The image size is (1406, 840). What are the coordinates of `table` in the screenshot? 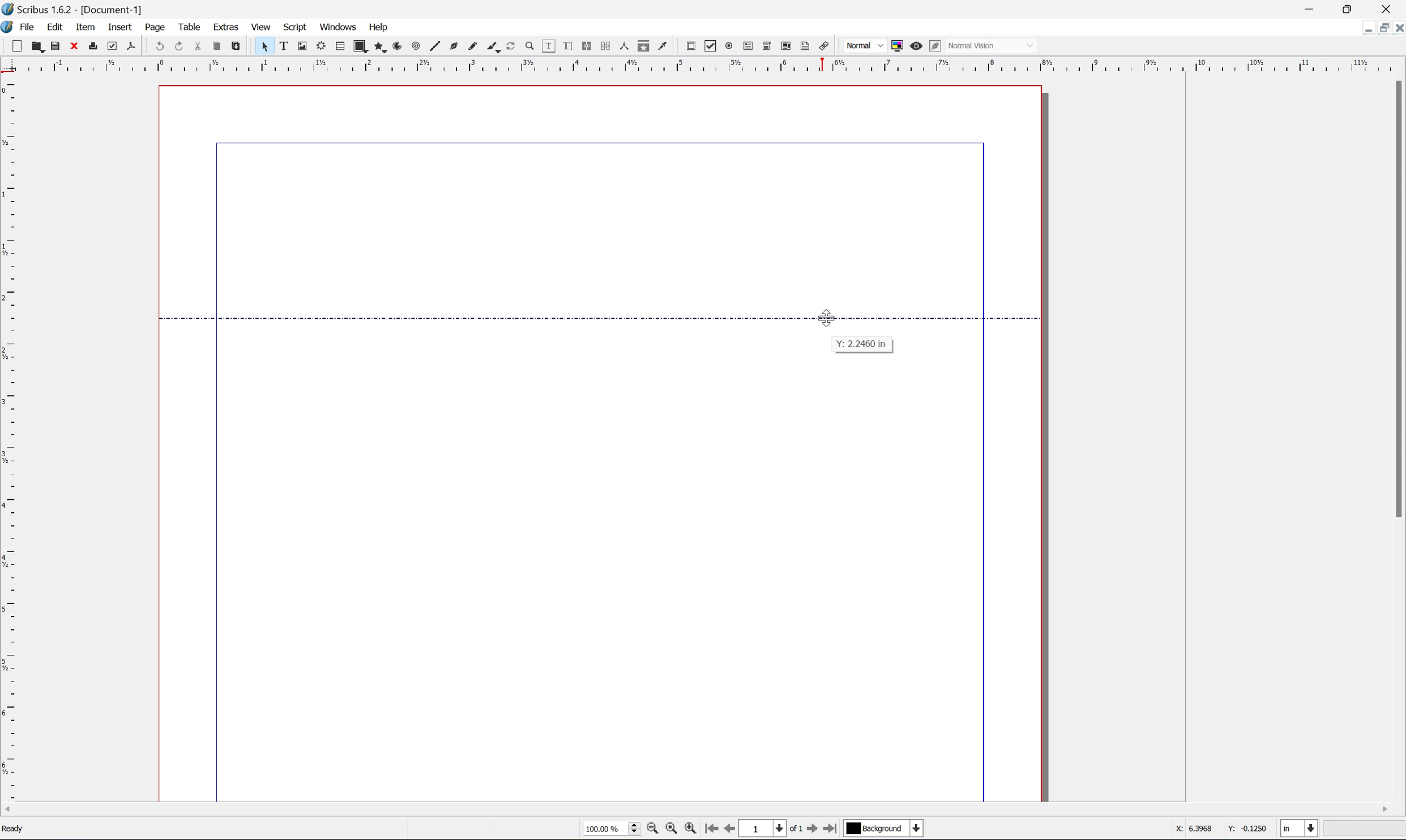 It's located at (188, 23).